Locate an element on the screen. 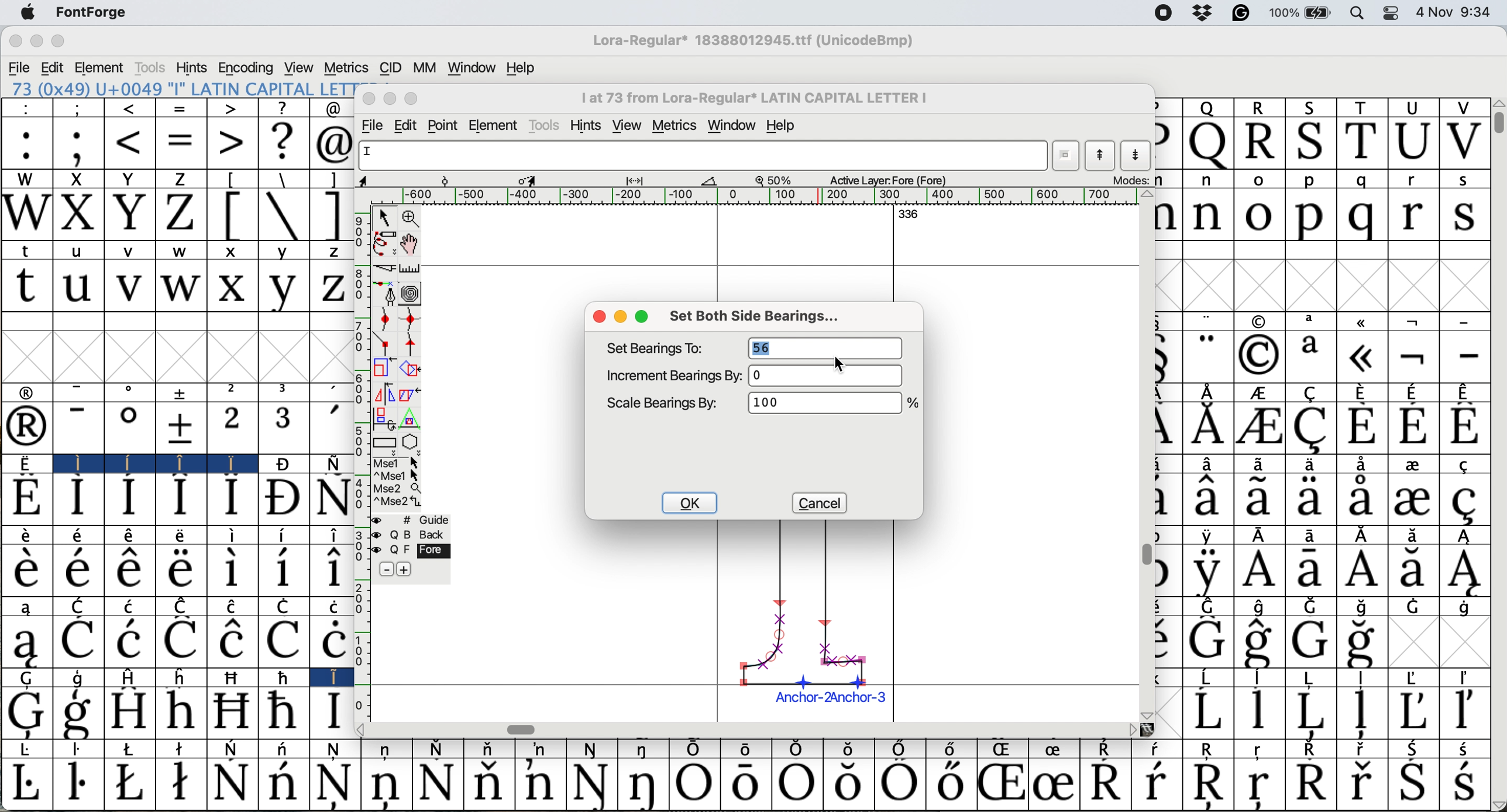 Image resolution: width=1507 pixels, height=812 pixels. help is located at coordinates (519, 68).